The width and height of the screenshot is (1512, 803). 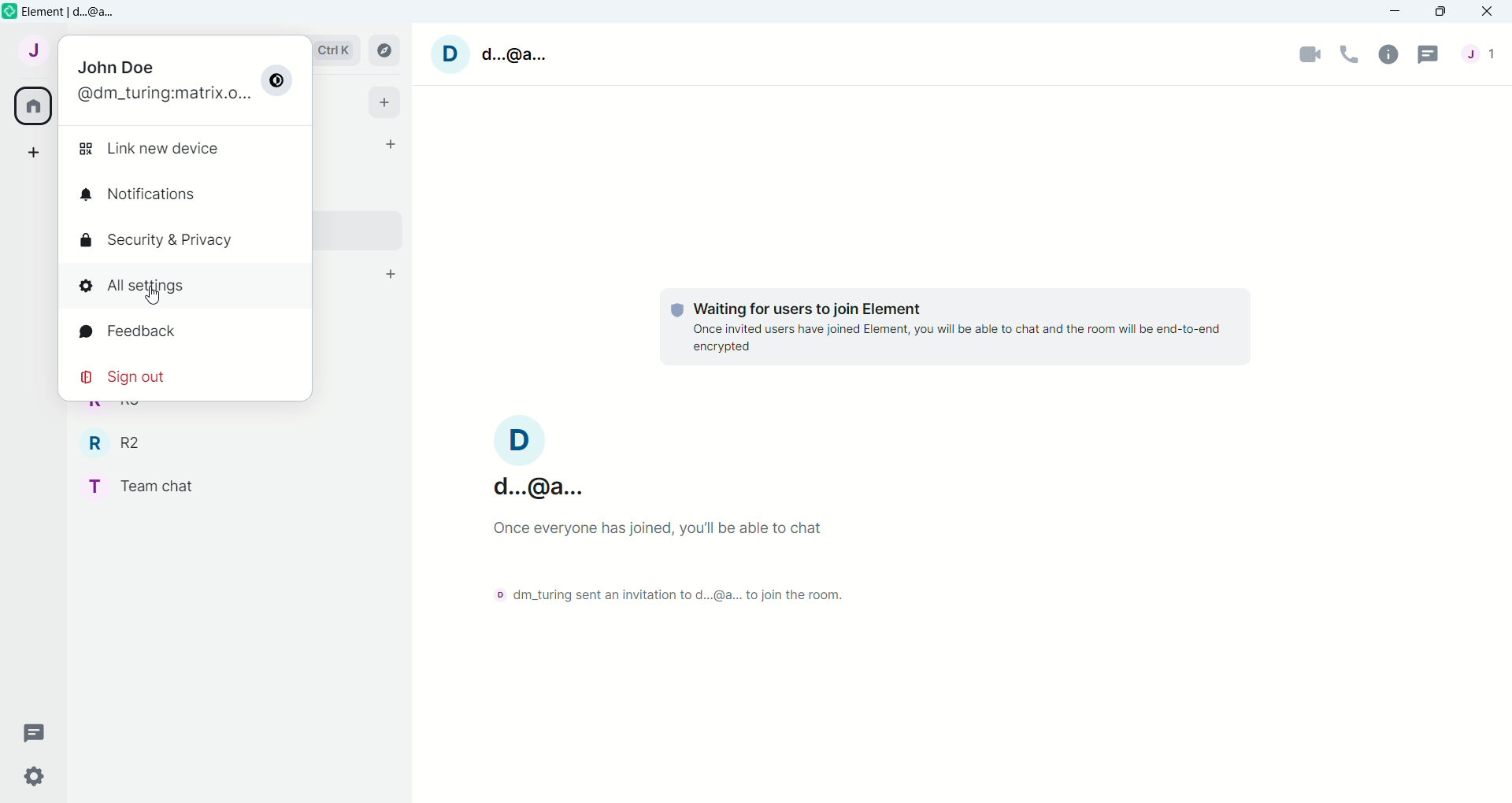 I want to click on Room info, so click(x=1391, y=54).